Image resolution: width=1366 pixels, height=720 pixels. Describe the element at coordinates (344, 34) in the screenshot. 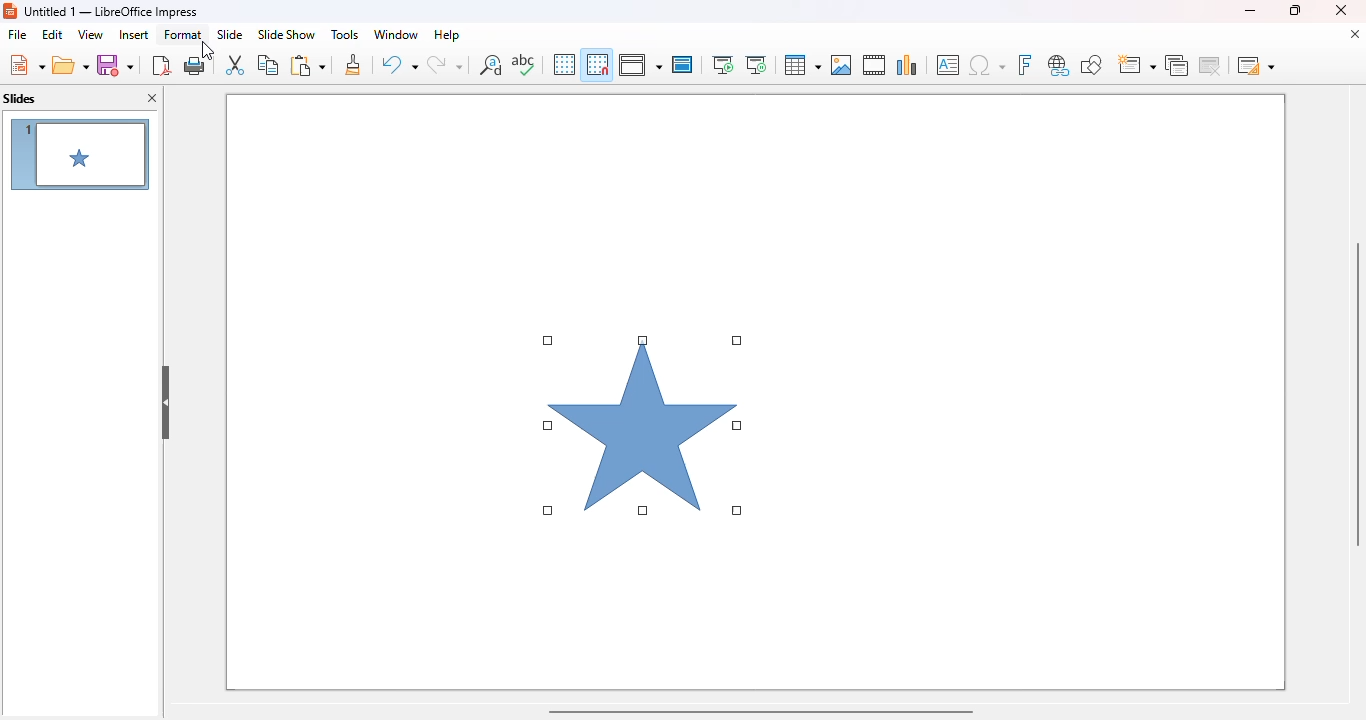

I see `tools` at that location.